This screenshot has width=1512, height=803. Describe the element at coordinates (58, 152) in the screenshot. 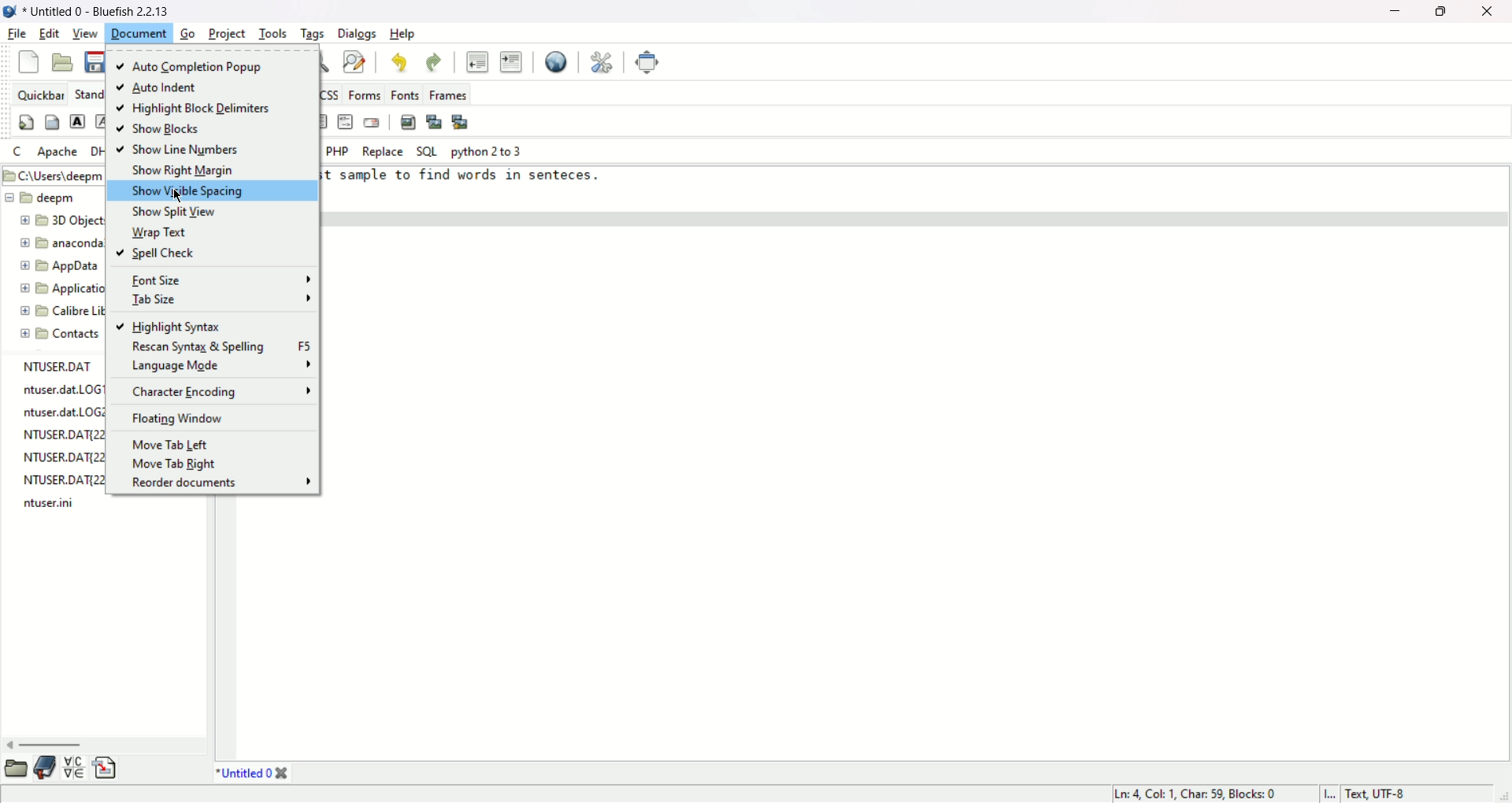

I see `apache` at that location.